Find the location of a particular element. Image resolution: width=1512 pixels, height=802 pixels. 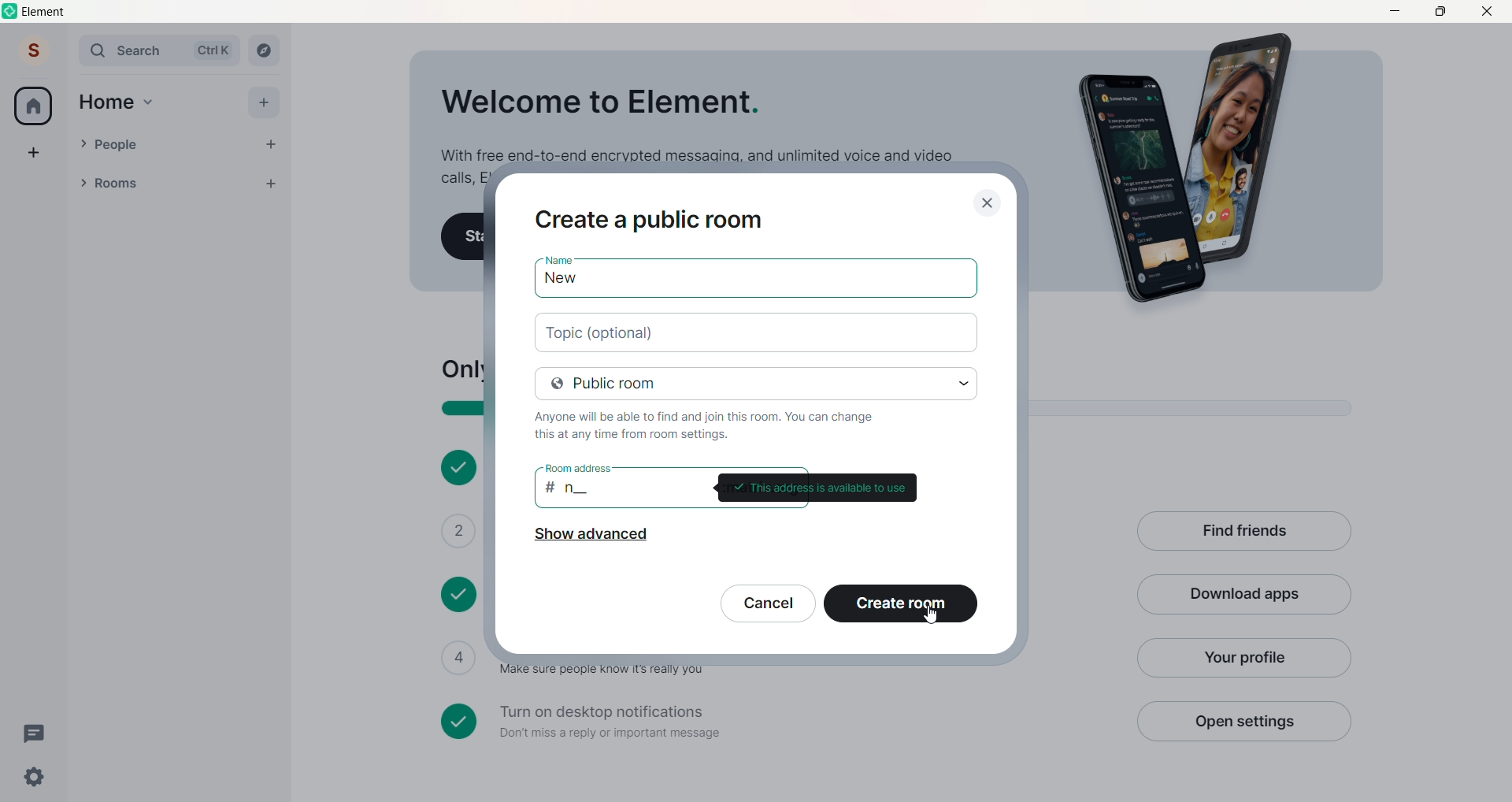

 Name is located at coordinates (558, 256).